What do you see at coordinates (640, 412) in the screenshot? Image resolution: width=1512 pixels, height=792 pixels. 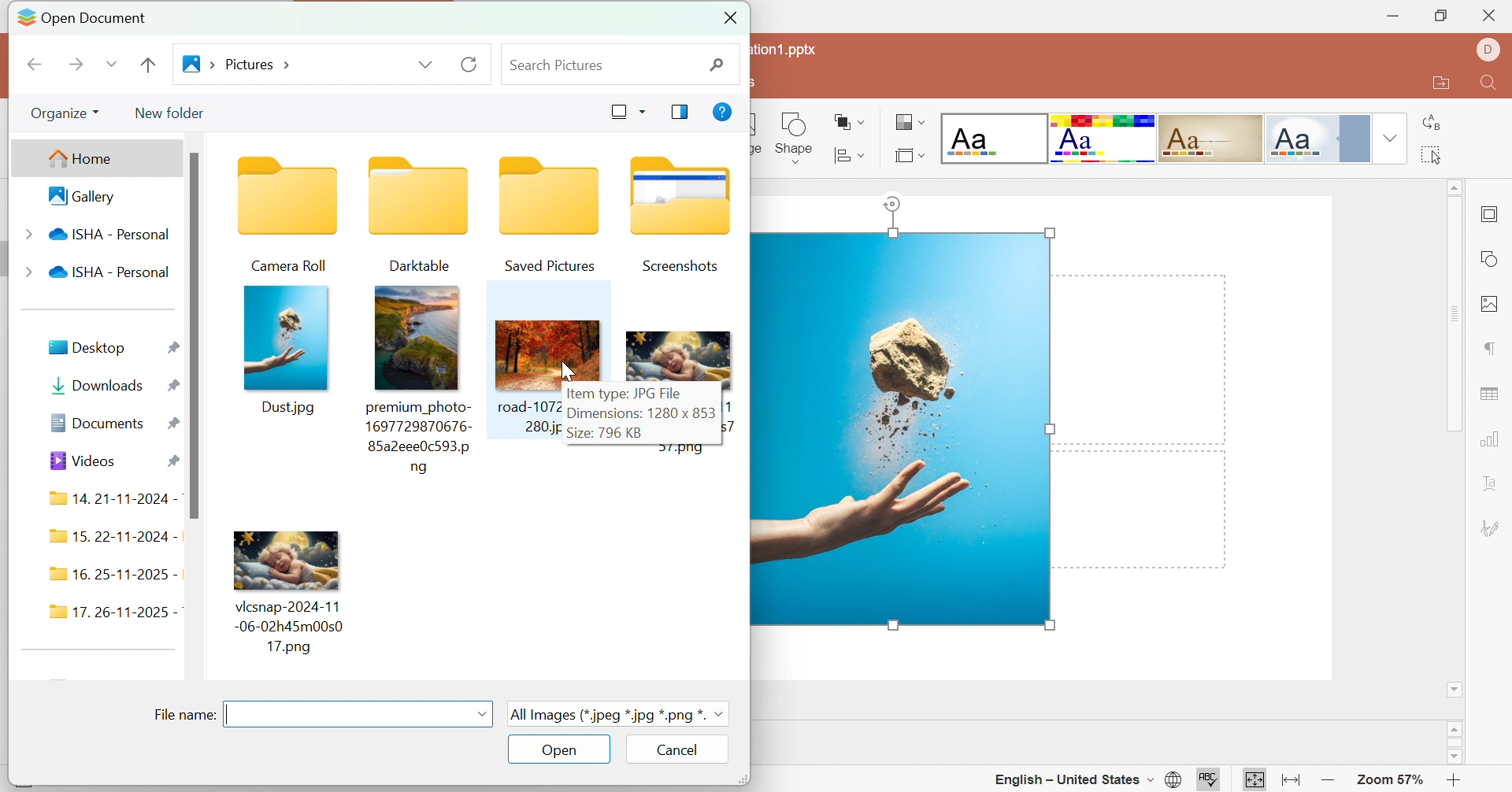 I see `Dimensions: 1280*853` at bounding box center [640, 412].